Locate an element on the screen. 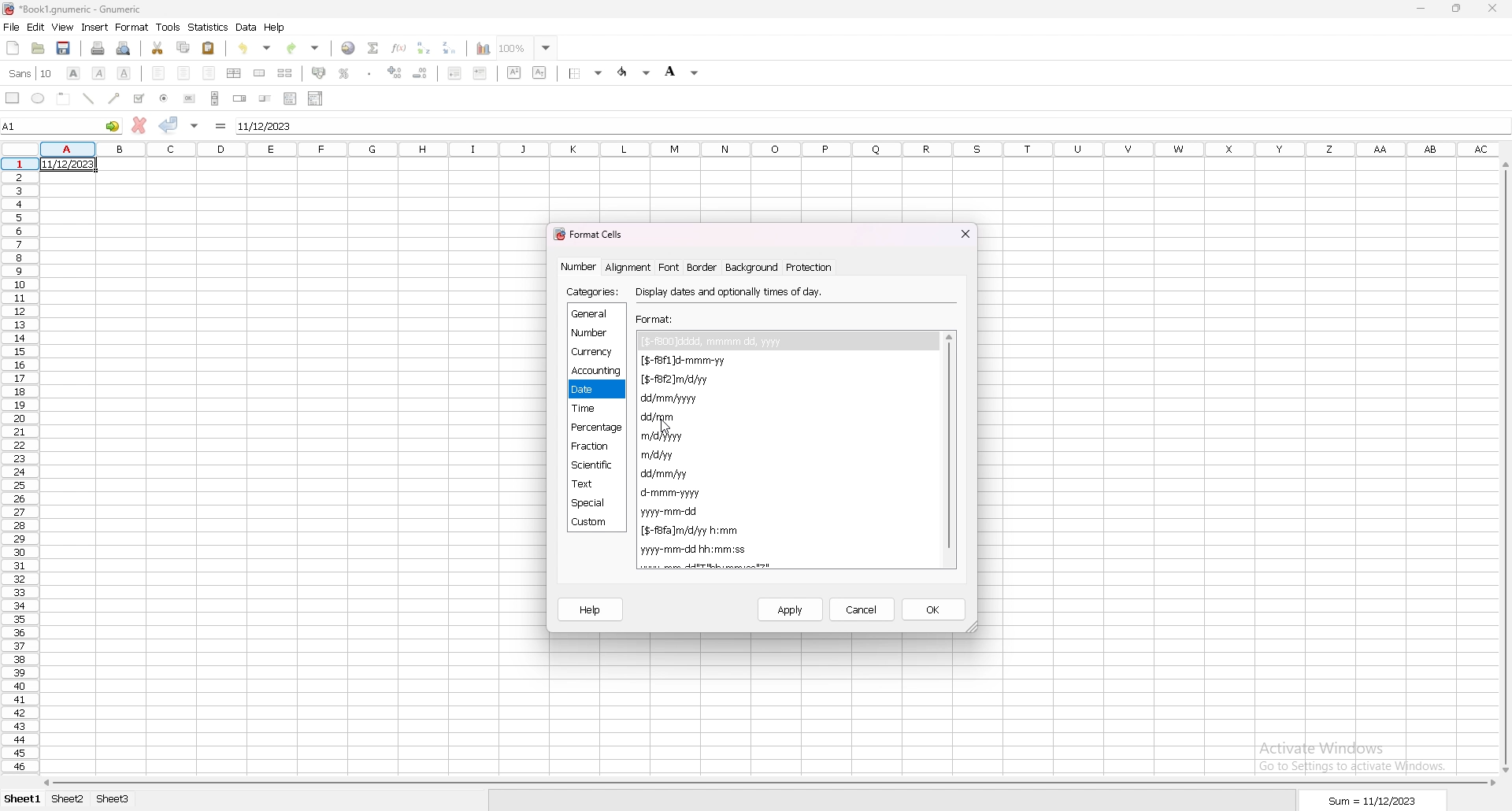 This screenshot has width=1512, height=811. thousands separator is located at coordinates (370, 72).